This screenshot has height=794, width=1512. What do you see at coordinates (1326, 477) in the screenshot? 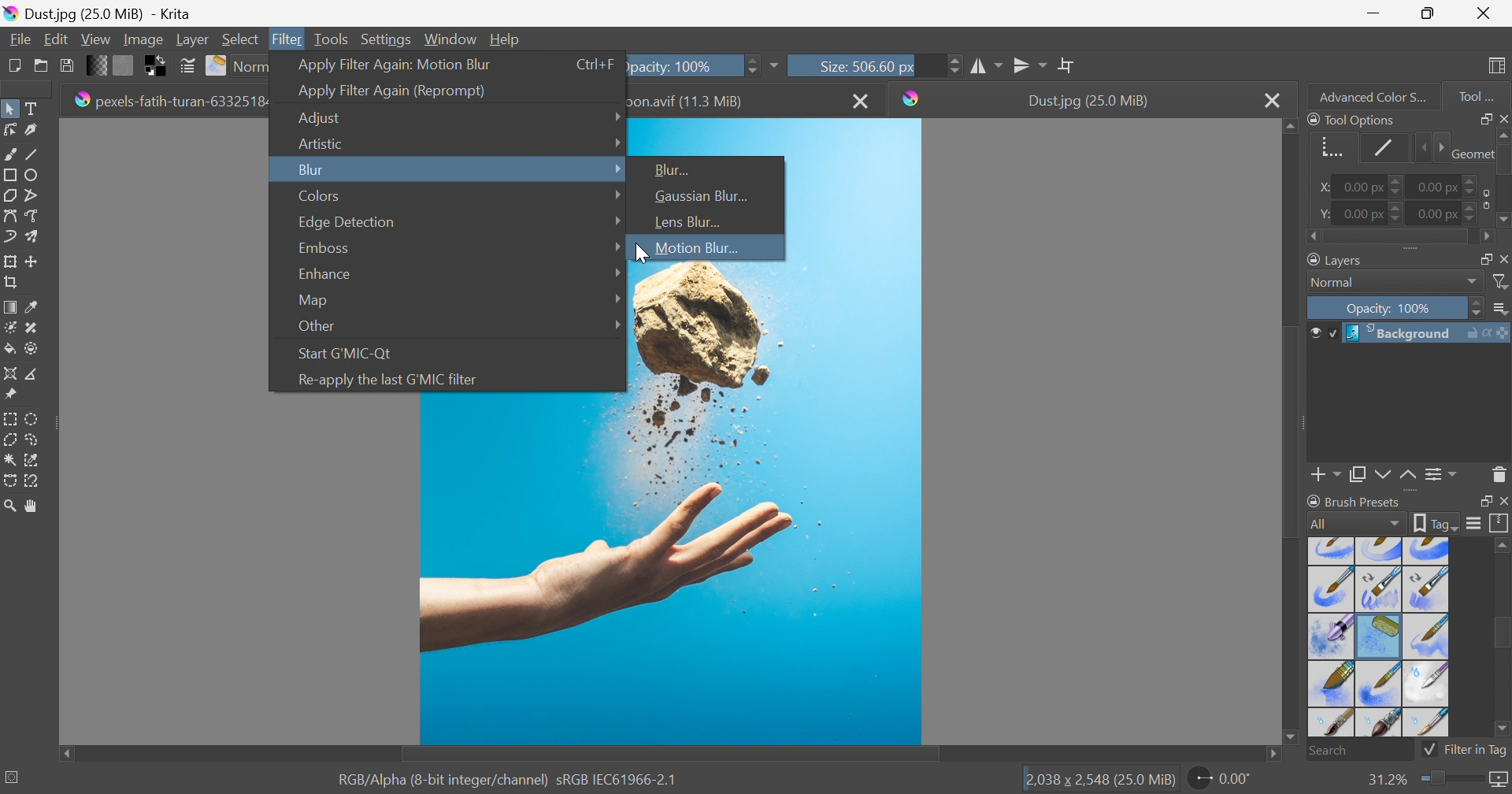
I see `Add Layer` at bounding box center [1326, 477].